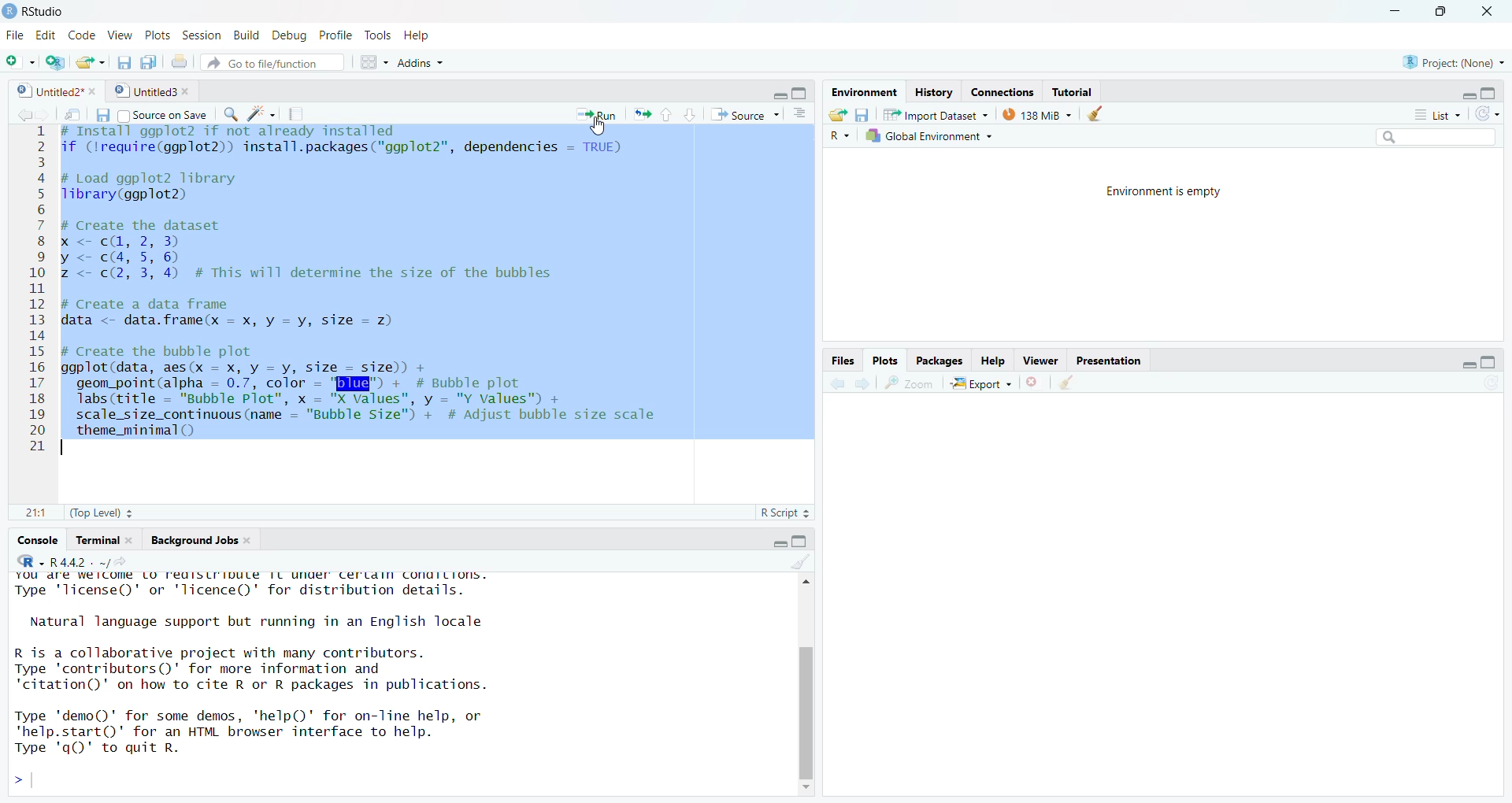  I want to click on zoom, so click(911, 383).